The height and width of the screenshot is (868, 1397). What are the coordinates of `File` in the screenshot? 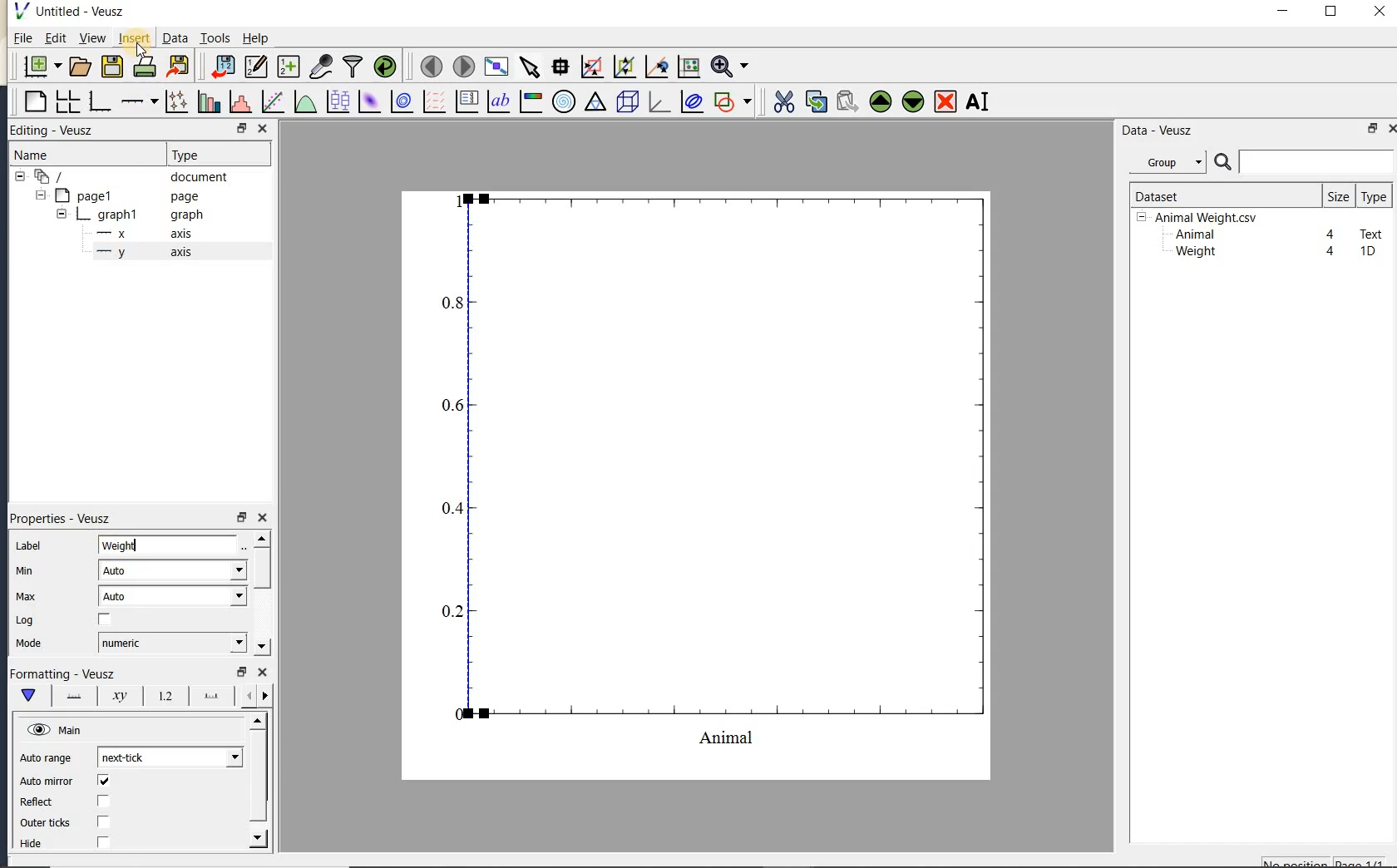 It's located at (23, 38).